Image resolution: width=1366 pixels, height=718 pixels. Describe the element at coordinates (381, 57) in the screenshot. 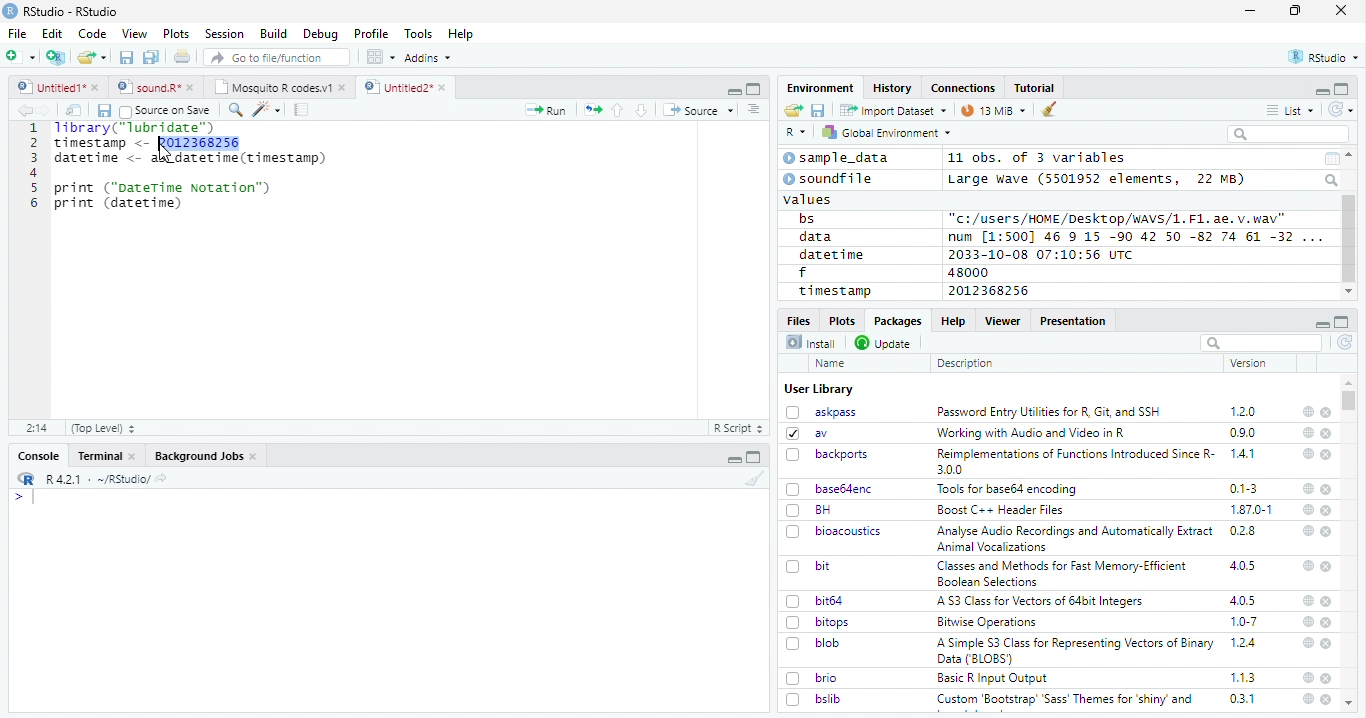

I see `Workspace panes` at that location.